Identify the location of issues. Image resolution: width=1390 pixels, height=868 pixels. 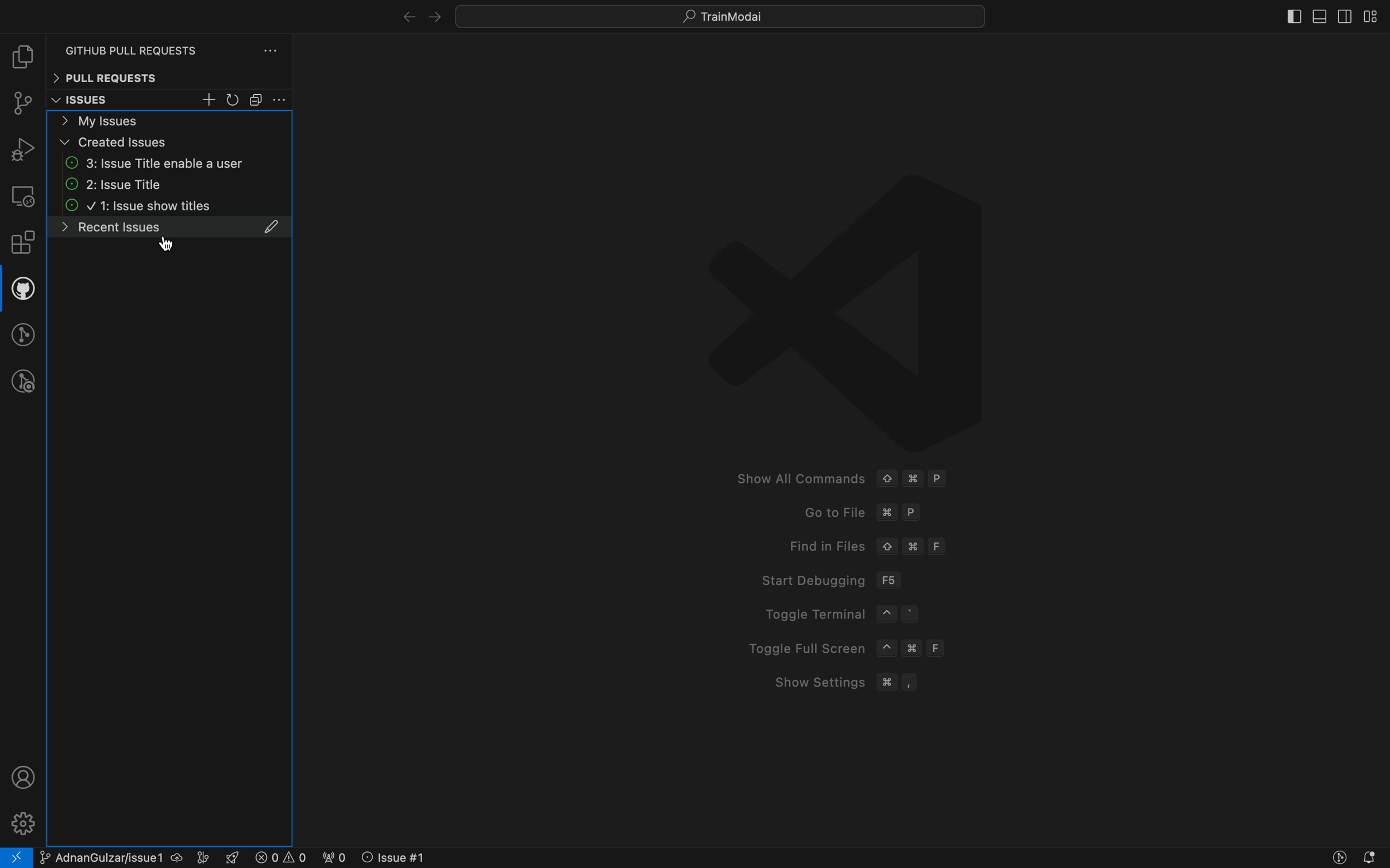
(96, 100).